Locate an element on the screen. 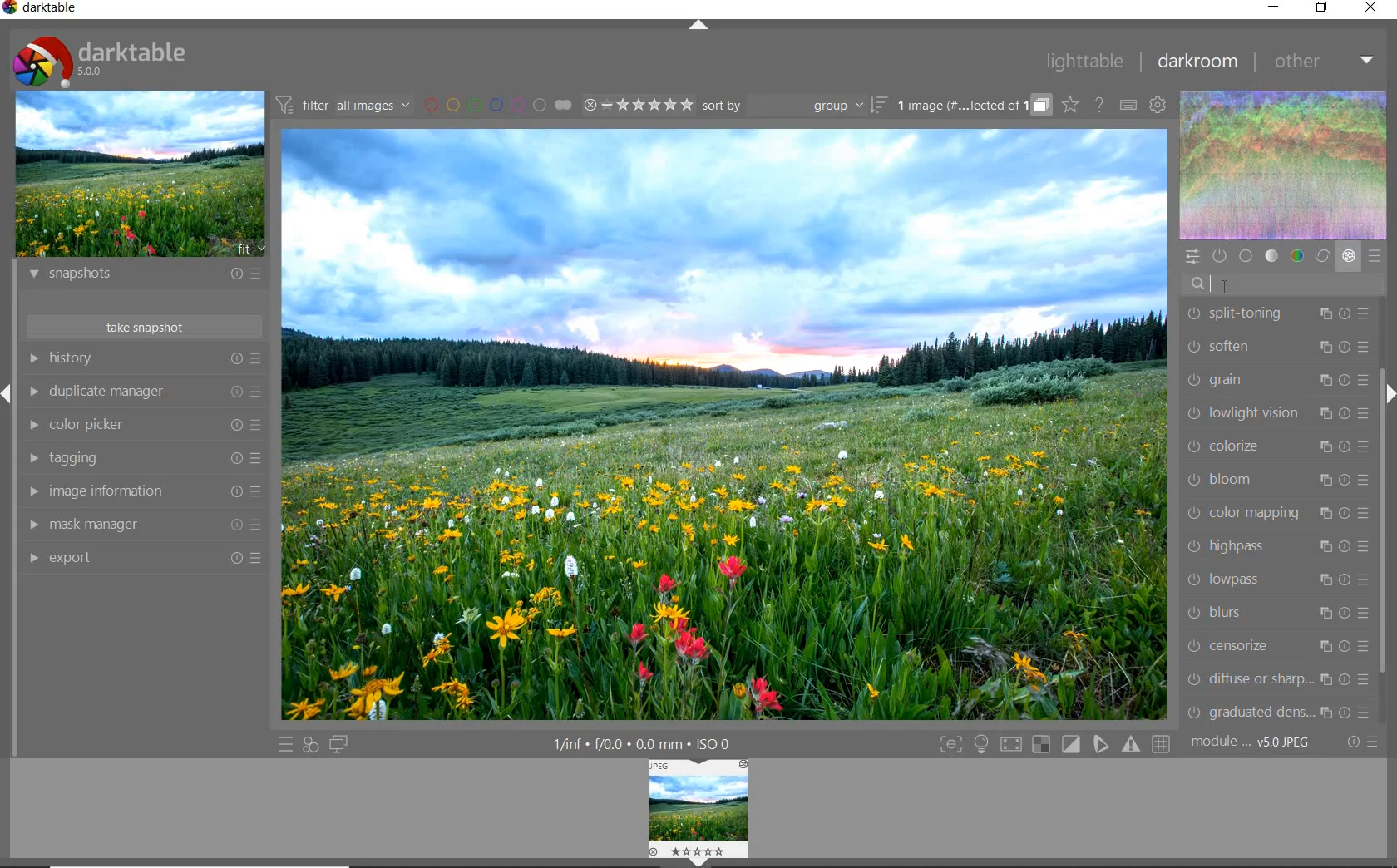 The width and height of the screenshot is (1397, 868). other is located at coordinates (1326, 61).